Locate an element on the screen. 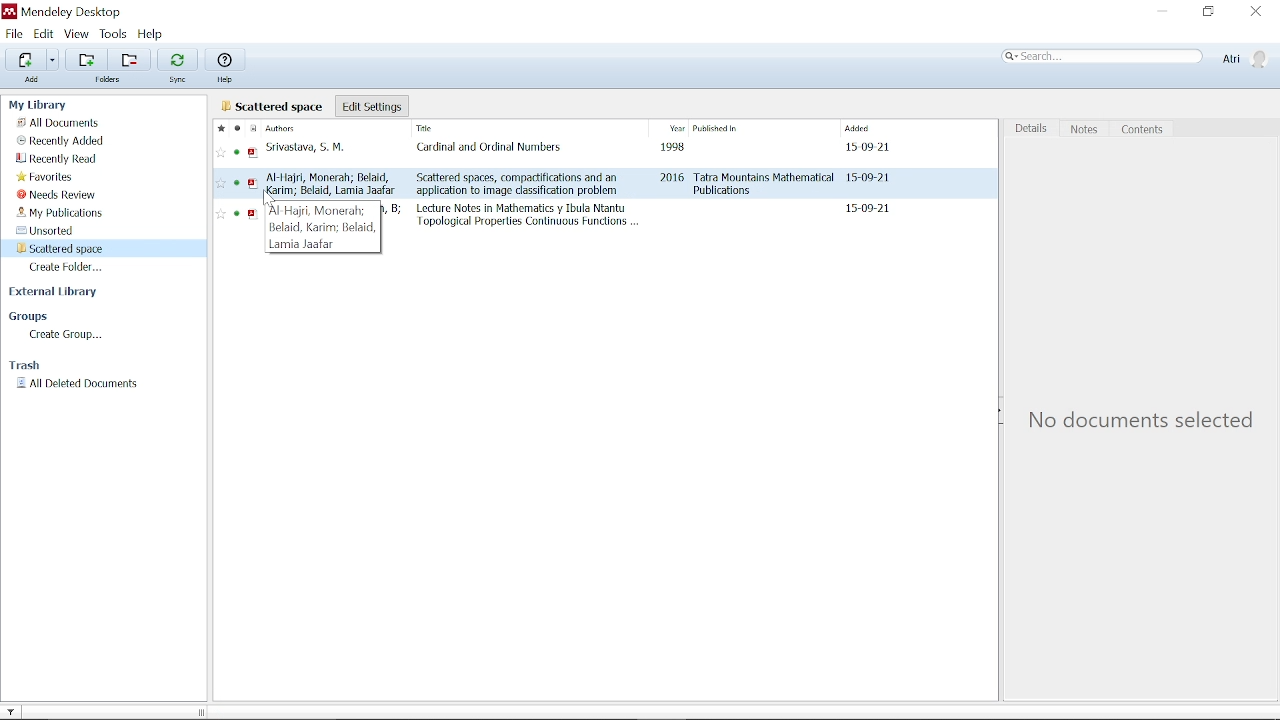 The height and width of the screenshot is (720, 1280). help is located at coordinates (227, 80).